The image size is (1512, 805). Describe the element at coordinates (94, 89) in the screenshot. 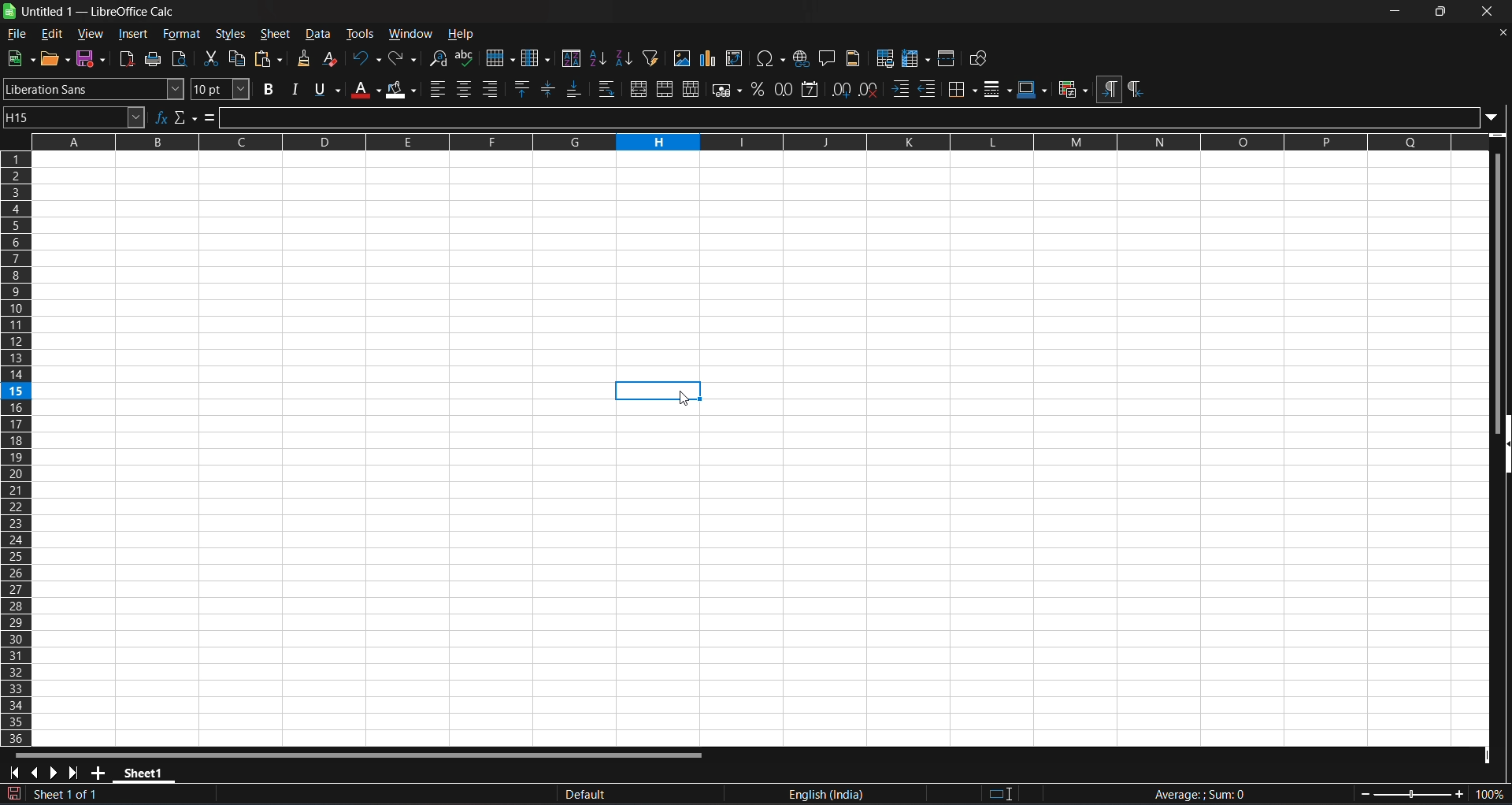

I see `font name` at that location.